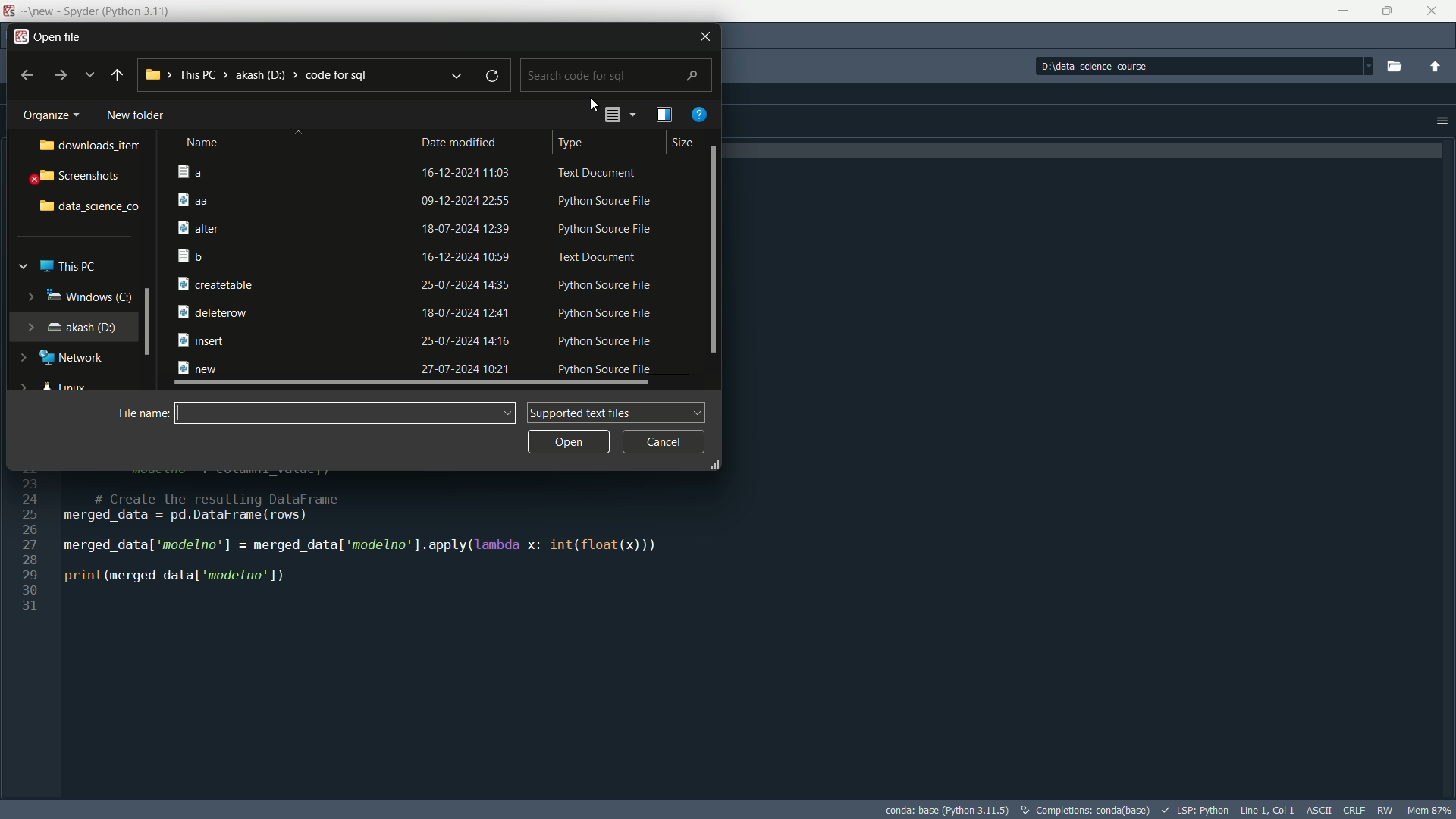 Image resolution: width=1456 pixels, height=819 pixels. I want to click on this pc, so click(71, 267).